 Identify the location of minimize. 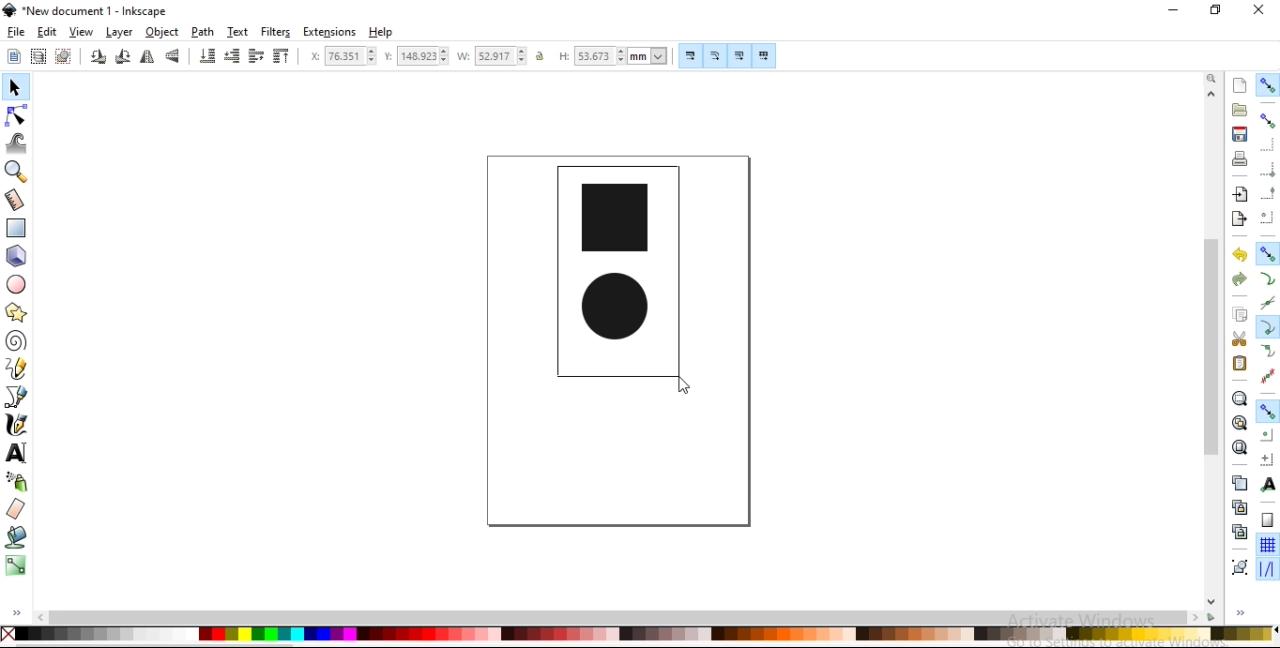
(1171, 9).